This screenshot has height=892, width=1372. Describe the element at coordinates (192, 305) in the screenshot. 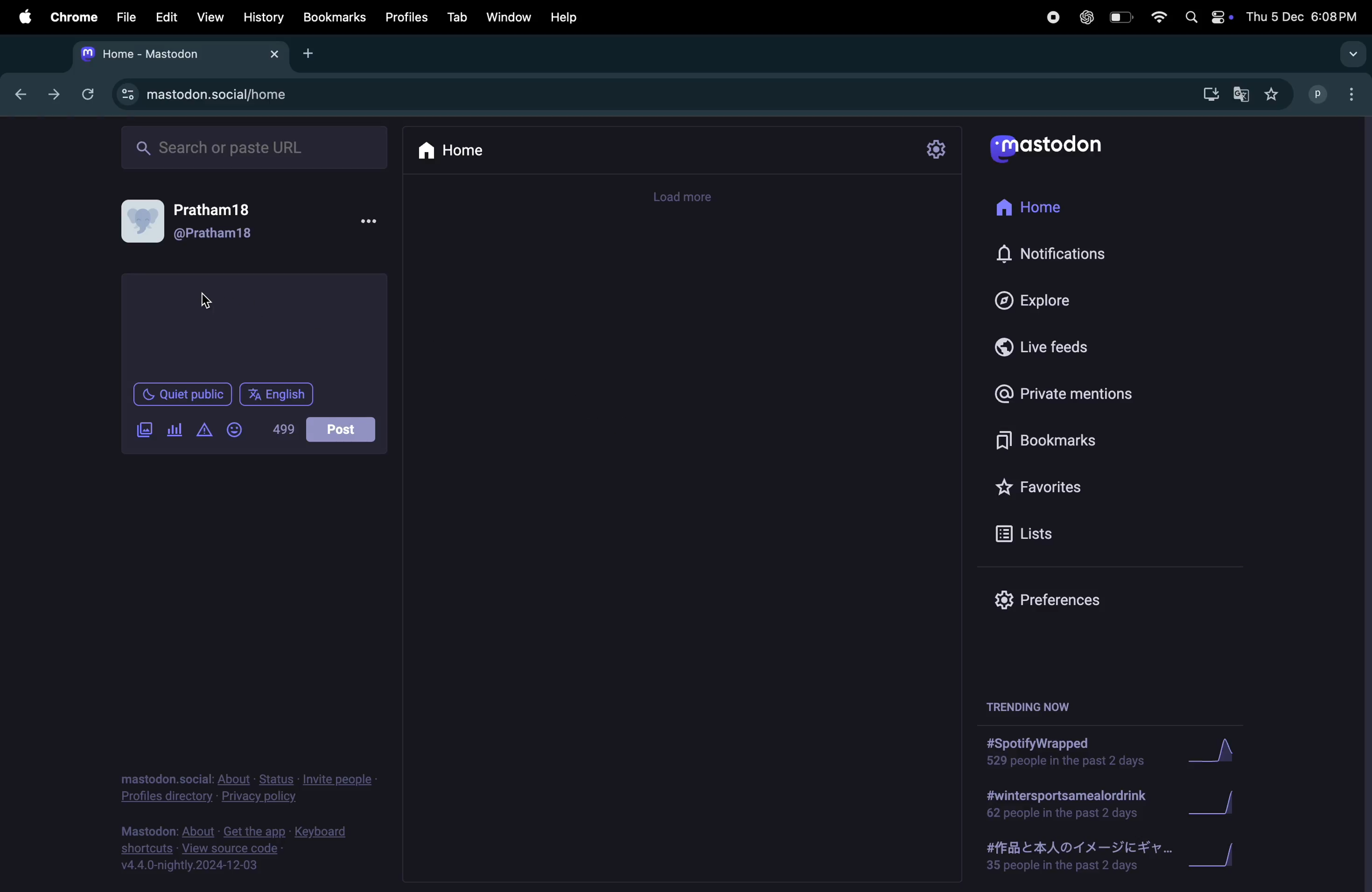

I see `cursor` at that location.